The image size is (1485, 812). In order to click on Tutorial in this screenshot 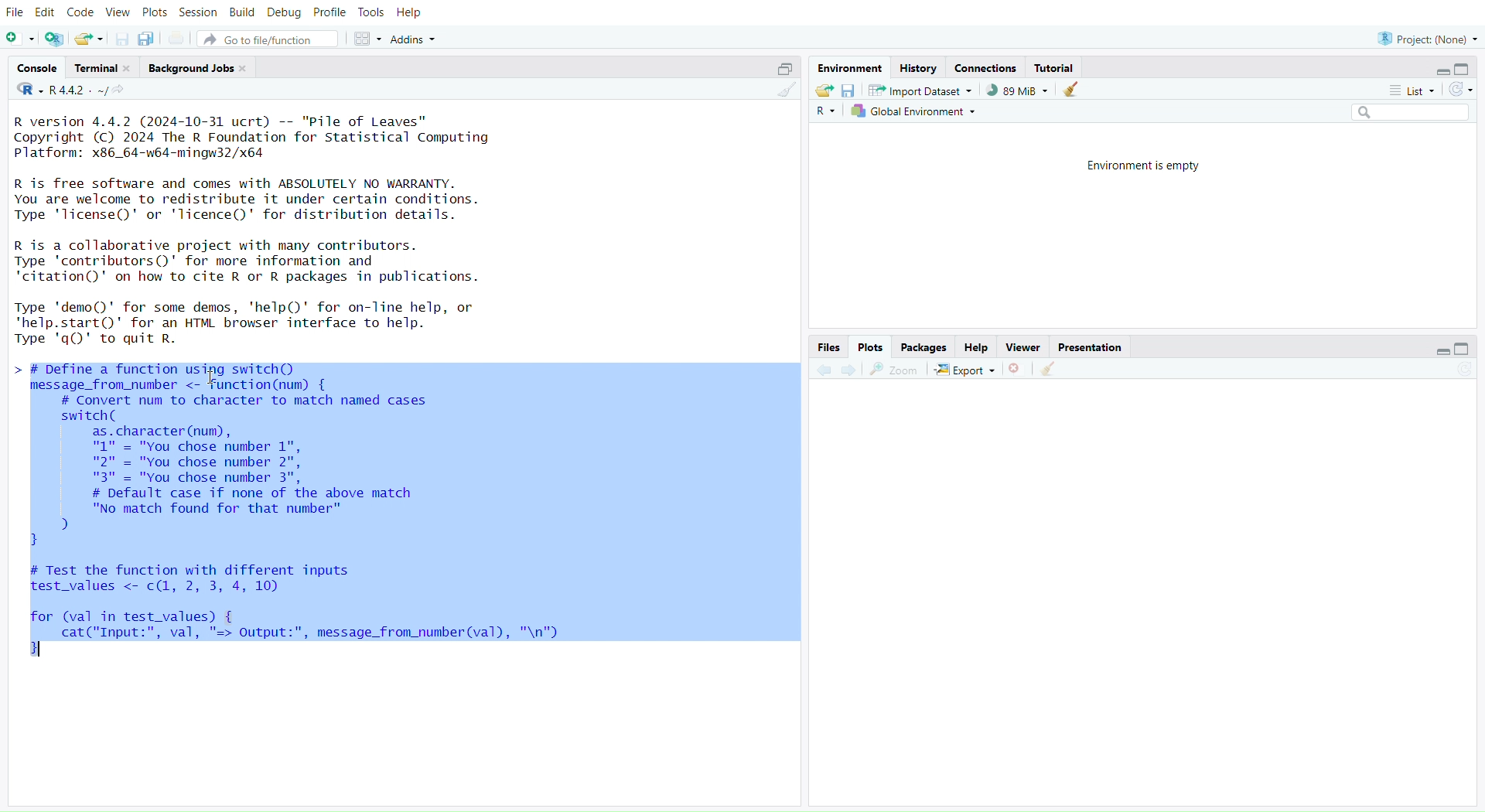, I will do `click(1061, 68)`.